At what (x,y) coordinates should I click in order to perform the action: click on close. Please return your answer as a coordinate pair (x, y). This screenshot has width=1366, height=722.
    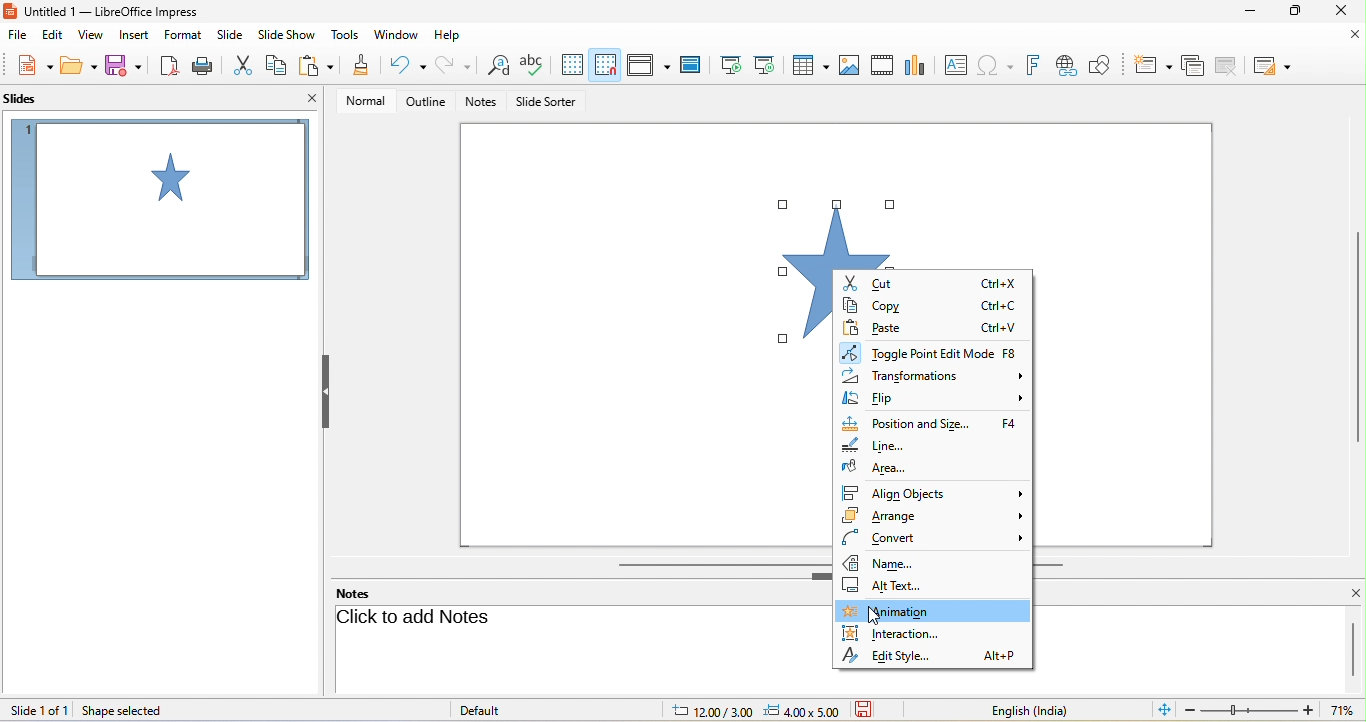
    Looking at the image, I should click on (1345, 10).